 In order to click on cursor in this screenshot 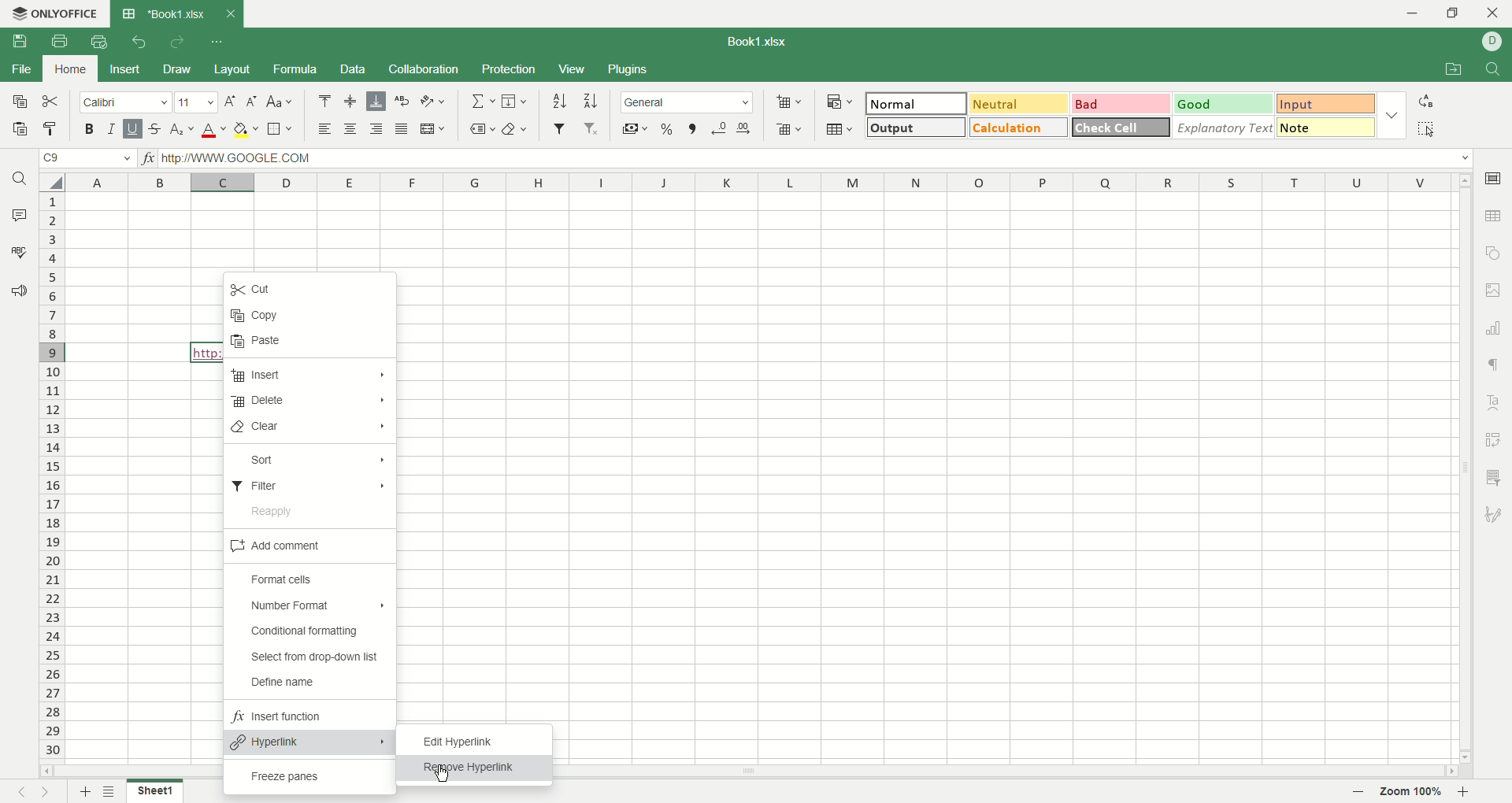, I will do `click(443, 774)`.